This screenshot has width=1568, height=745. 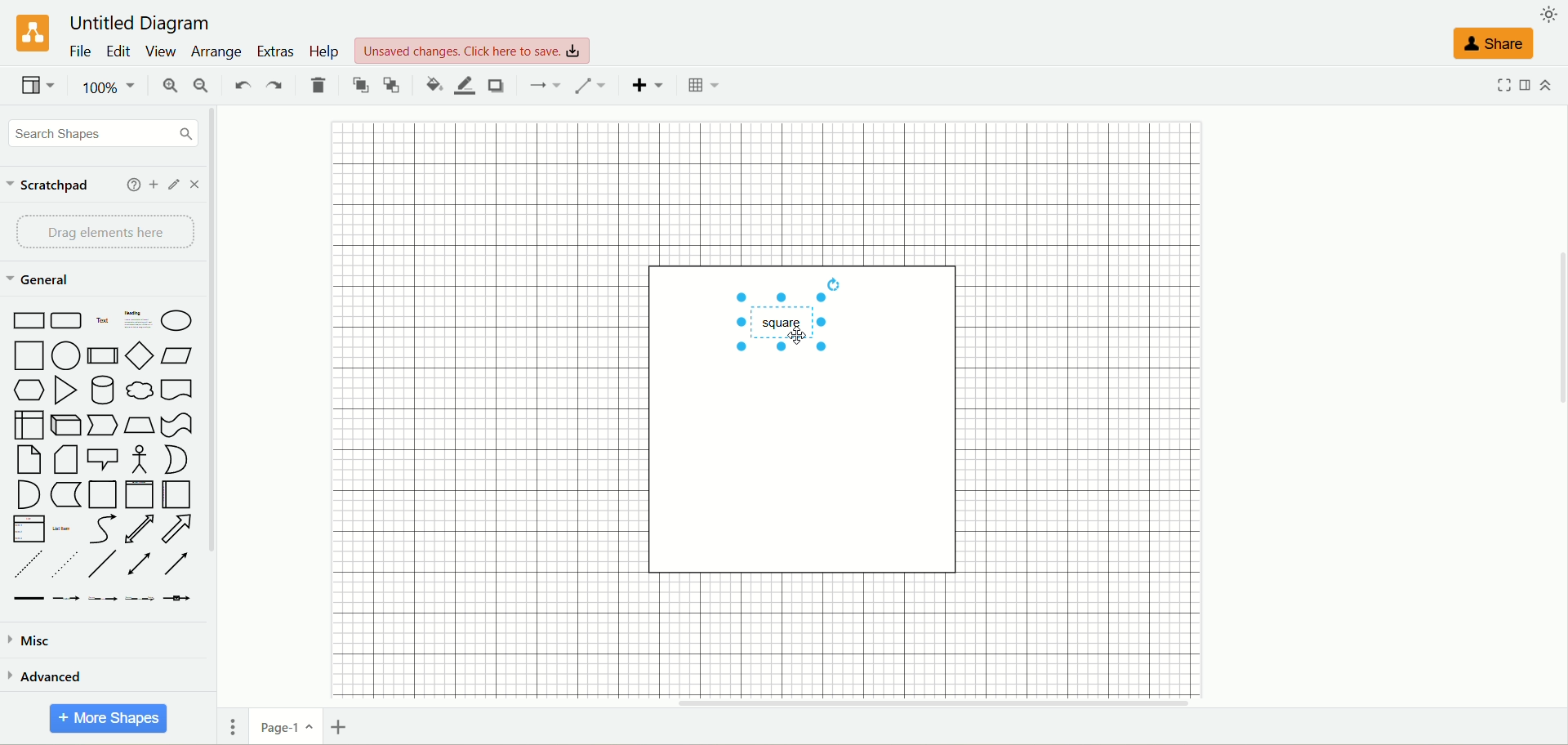 What do you see at coordinates (202, 85) in the screenshot?
I see `zoom out` at bounding box center [202, 85].